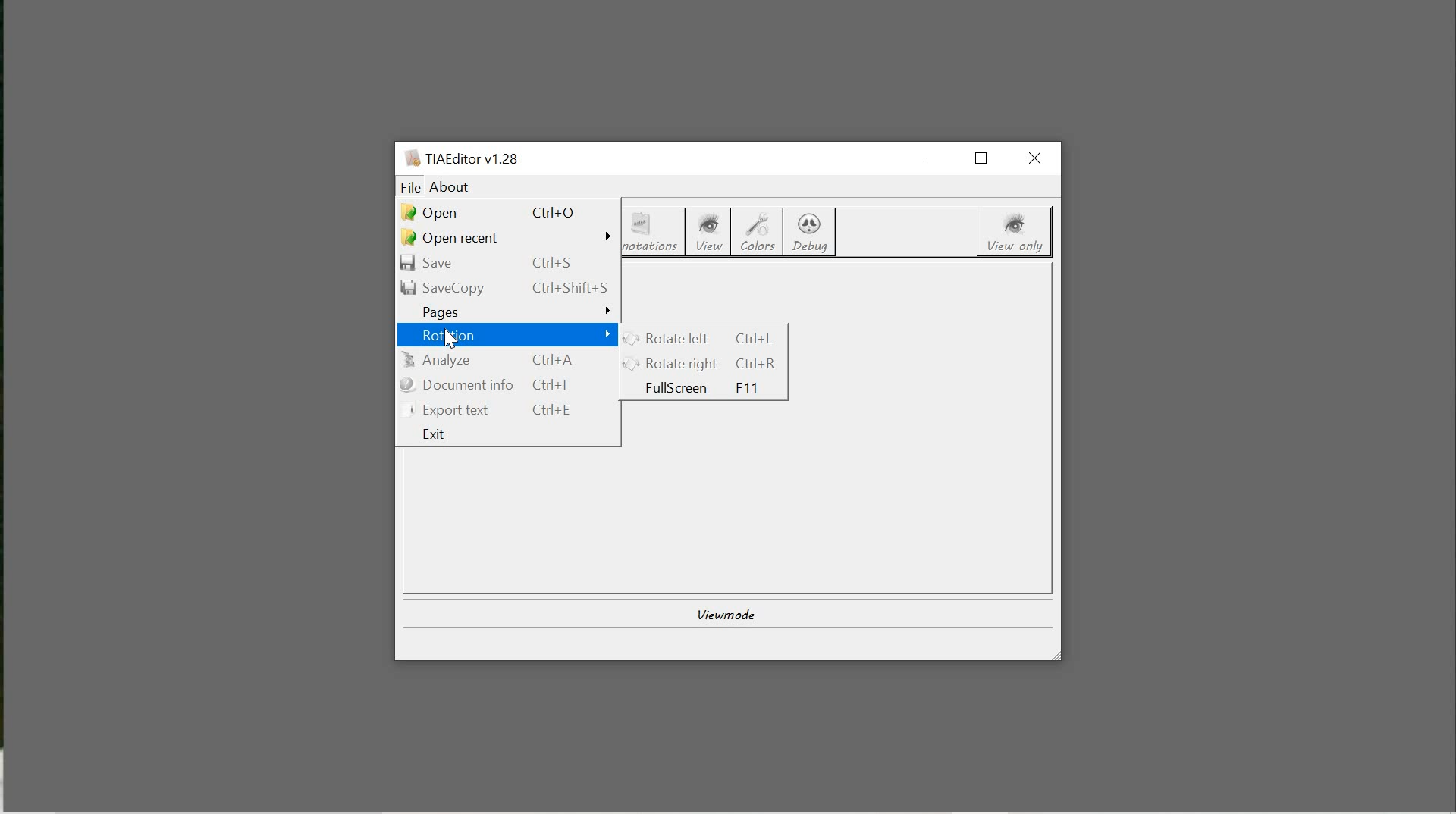 This screenshot has height=814, width=1456. What do you see at coordinates (705, 363) in the screenshot?
I see `rotate right` at bounding box center [705, 363].